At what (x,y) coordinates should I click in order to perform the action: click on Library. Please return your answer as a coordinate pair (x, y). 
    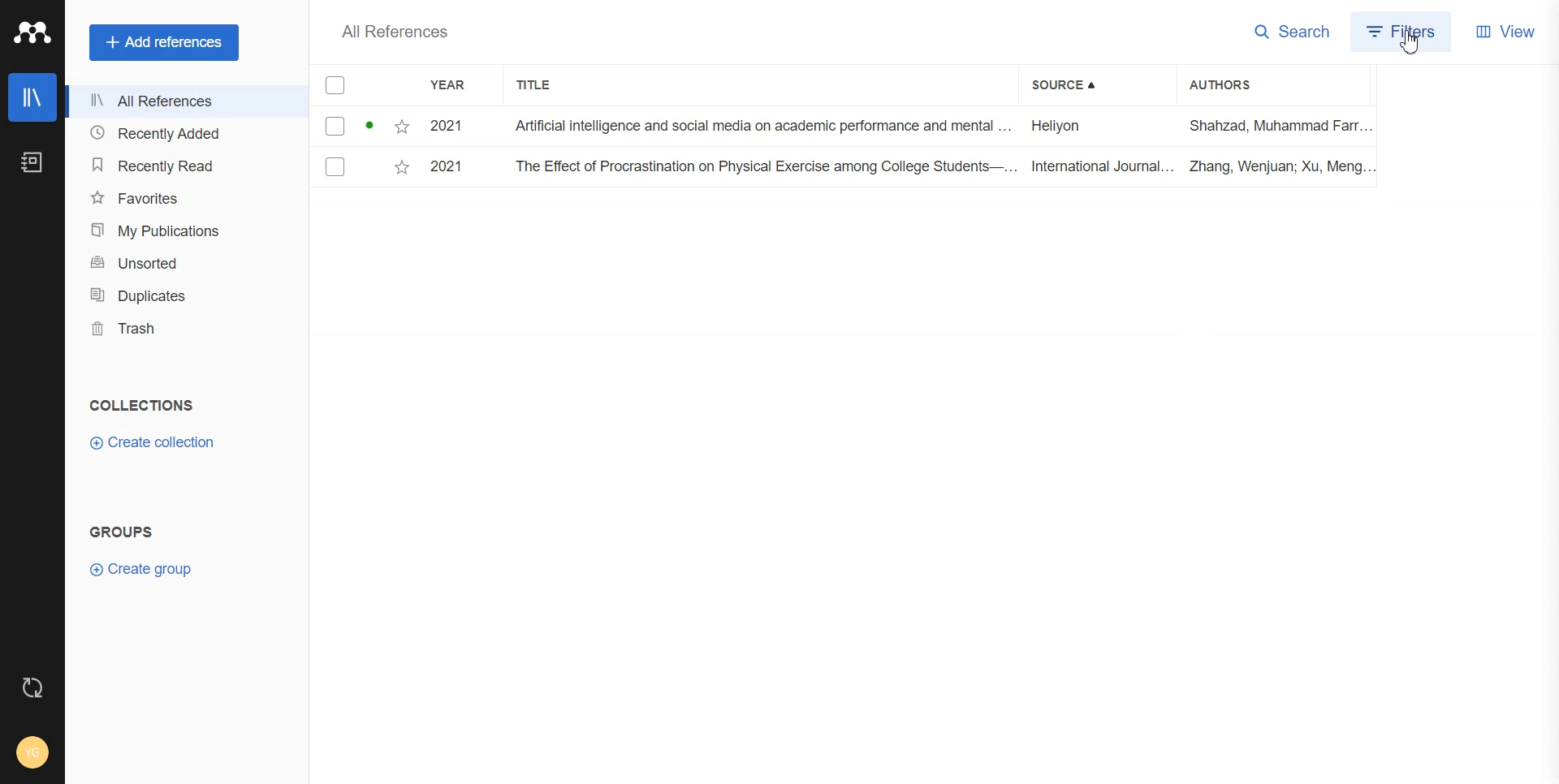
    Looking at the image, I should click on (32, 97).